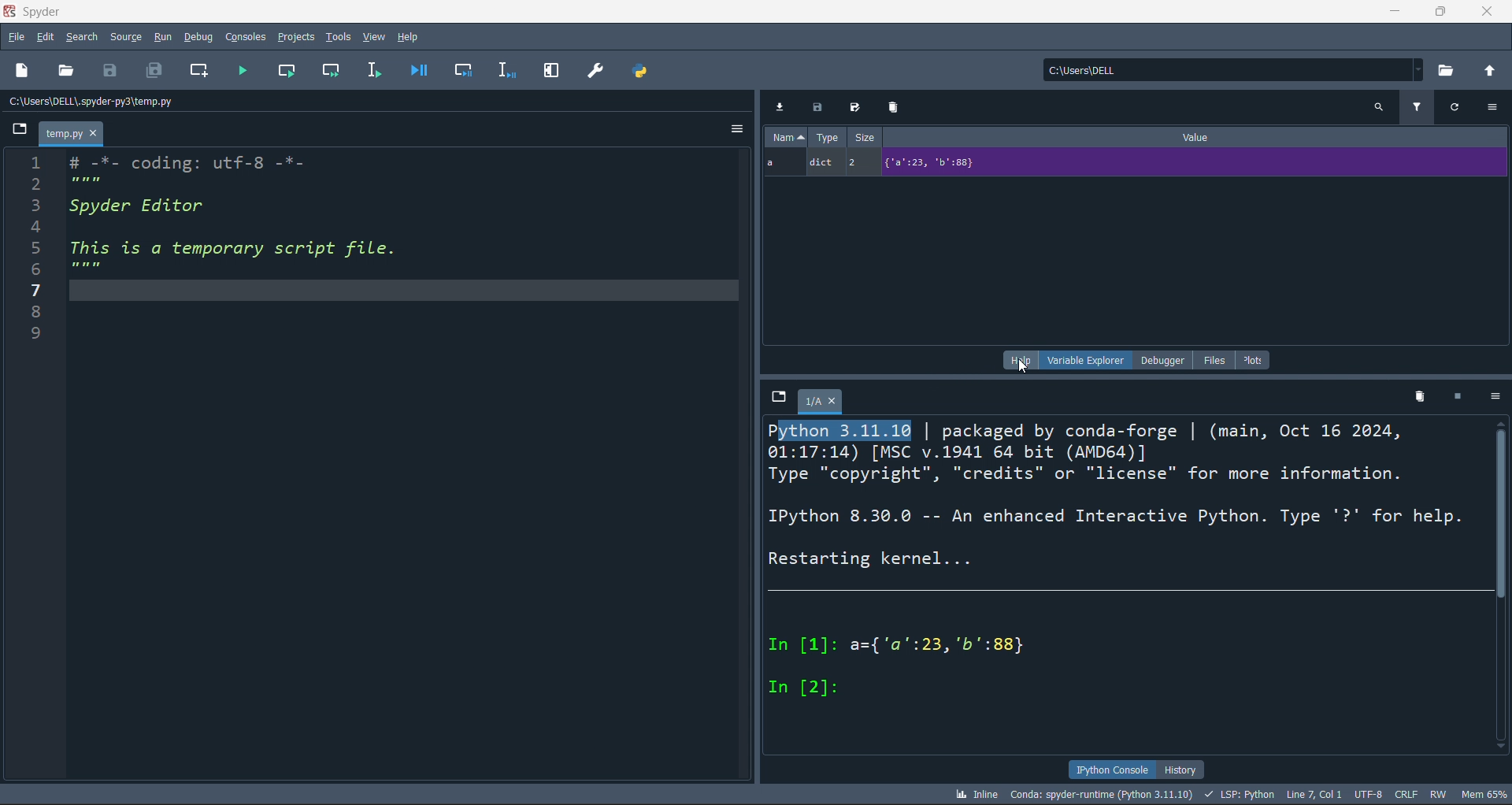 Image resolution: width=1512 pixels, height=805 pixels. What do you see at coordinates (1137, 164) in the screenshot?
I see `a, dict, 2, {'a': 25, 'b': 88} ` at bounding box center [1137, 164].